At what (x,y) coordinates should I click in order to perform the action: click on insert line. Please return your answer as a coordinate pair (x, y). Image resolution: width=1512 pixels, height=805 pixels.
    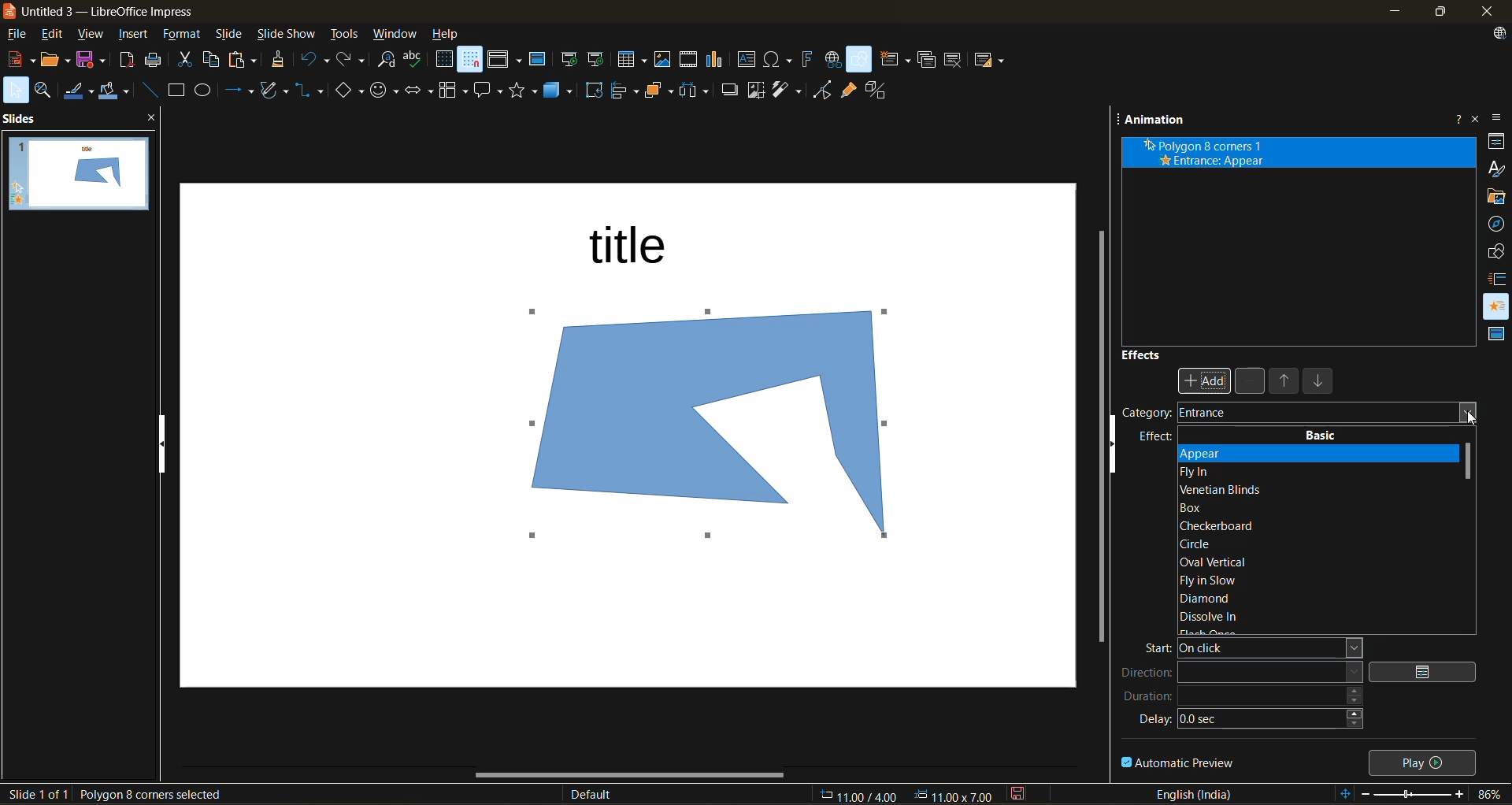
    Looking at the image, I should click on (150, 89).